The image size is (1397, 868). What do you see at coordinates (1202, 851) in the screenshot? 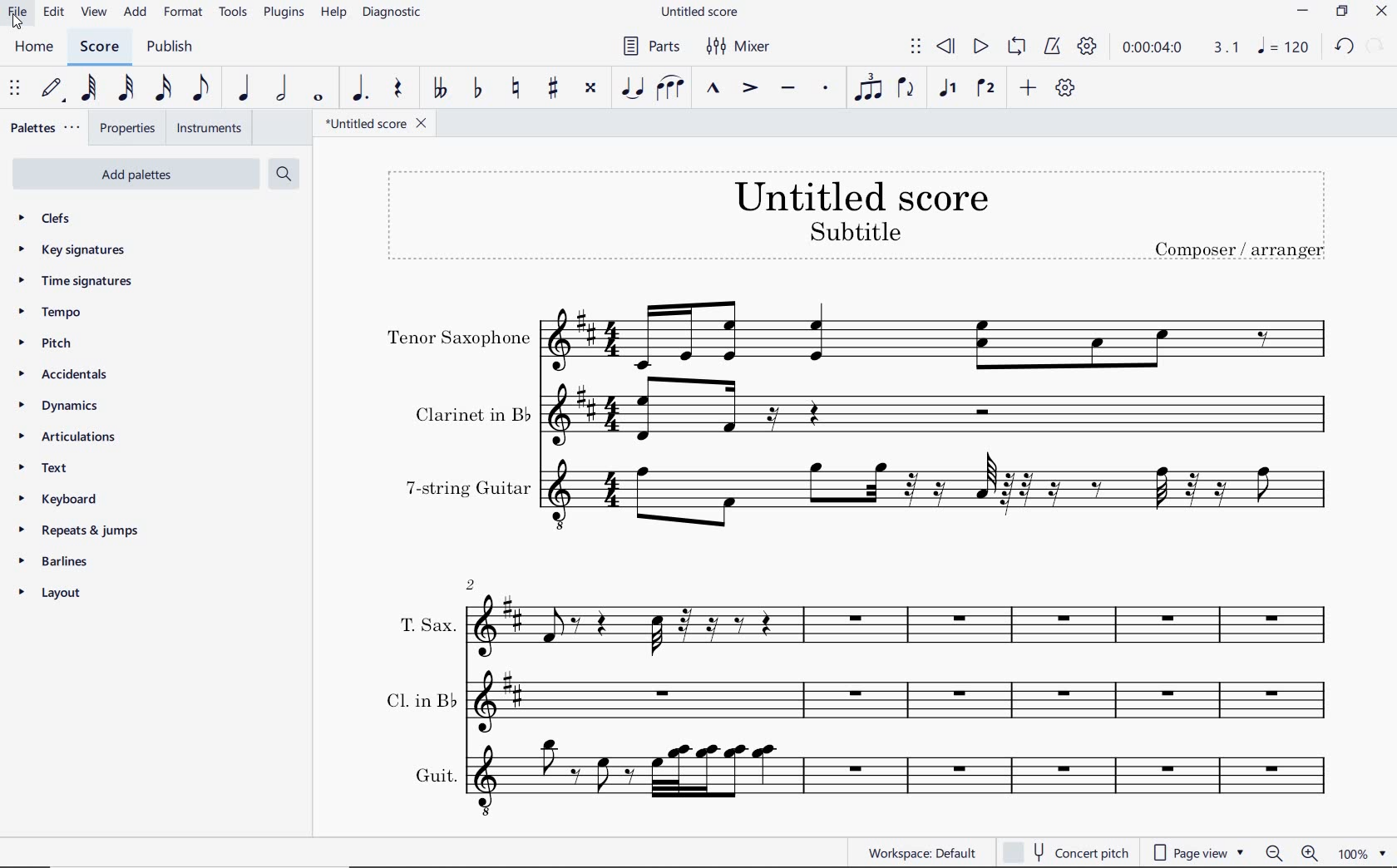
I see `page view` at bounding box center [1202, 851].